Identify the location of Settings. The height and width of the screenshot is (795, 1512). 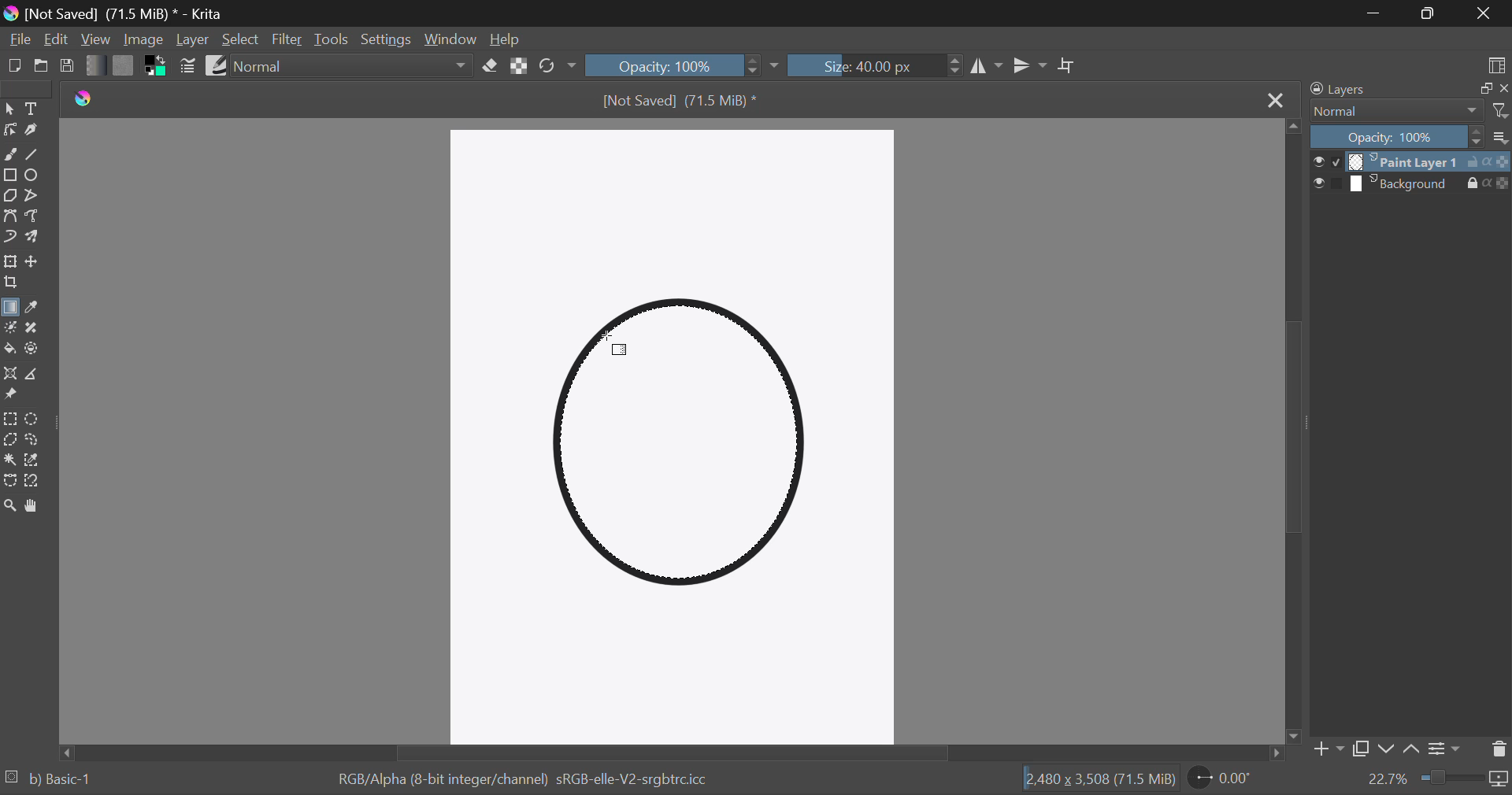
(384, 39).